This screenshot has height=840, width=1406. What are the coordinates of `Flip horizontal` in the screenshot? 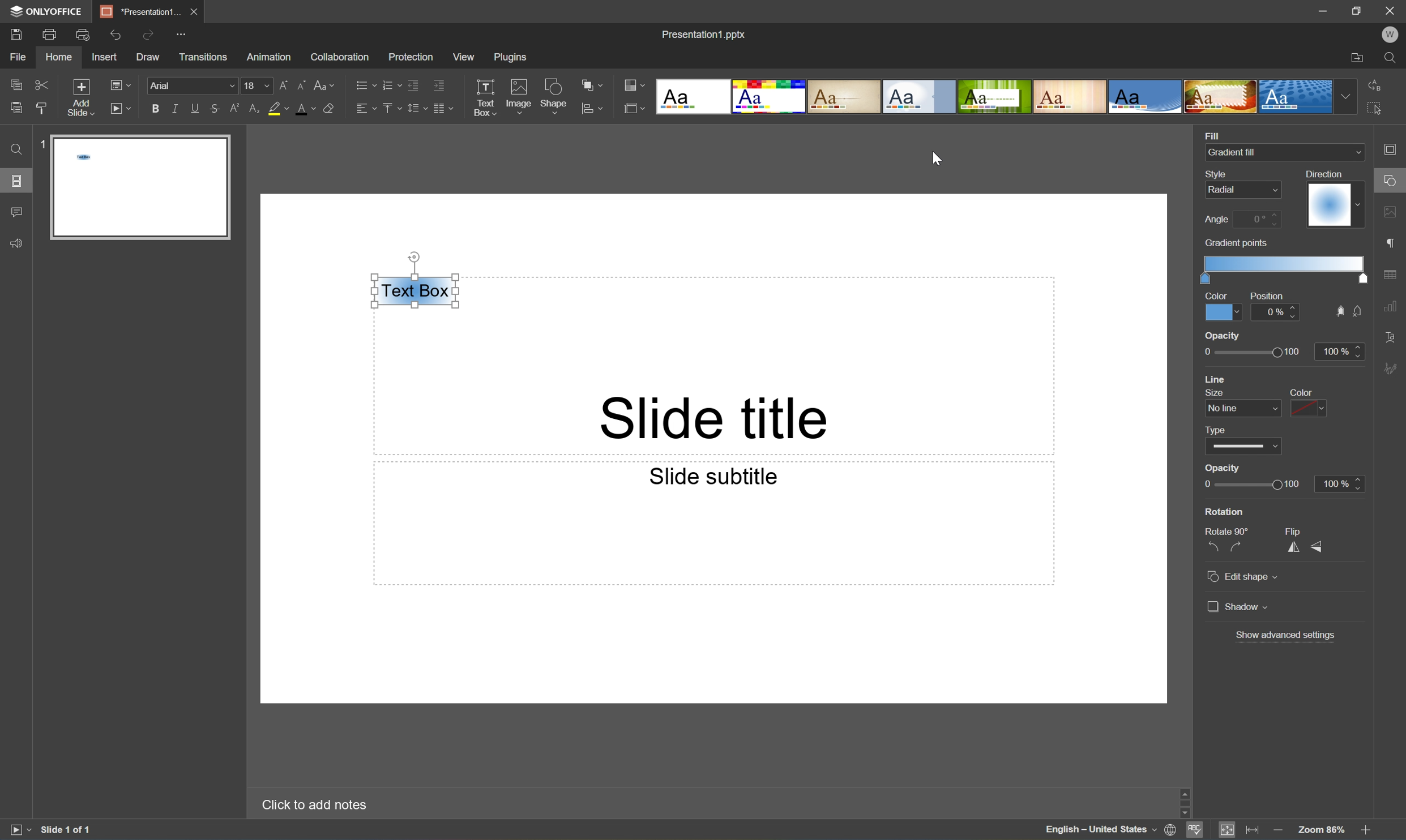 It's located at (1294, 546).